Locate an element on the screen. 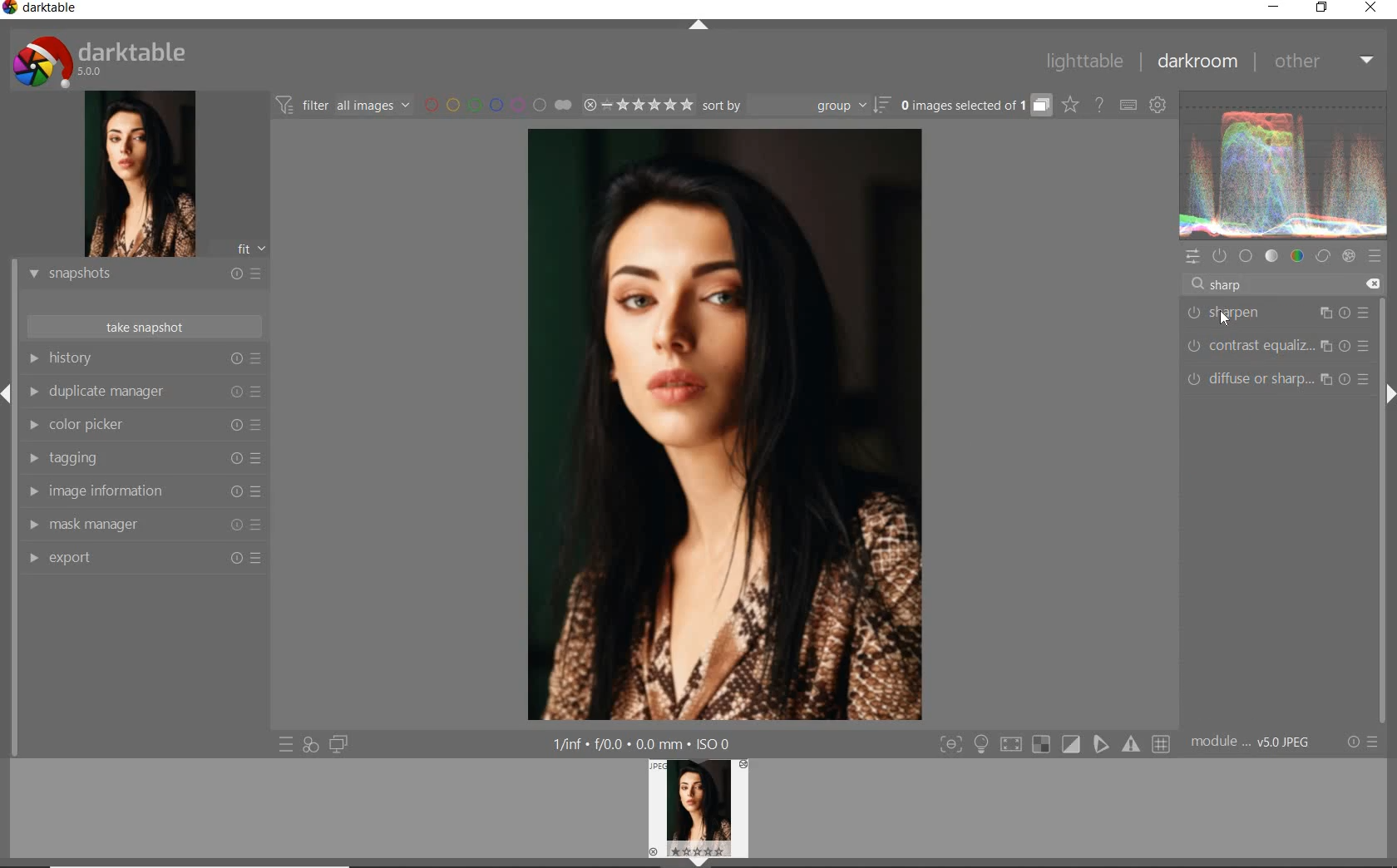 The width and height of the screenshot is (1397, 868). color is located at coordinates (1298, 257).